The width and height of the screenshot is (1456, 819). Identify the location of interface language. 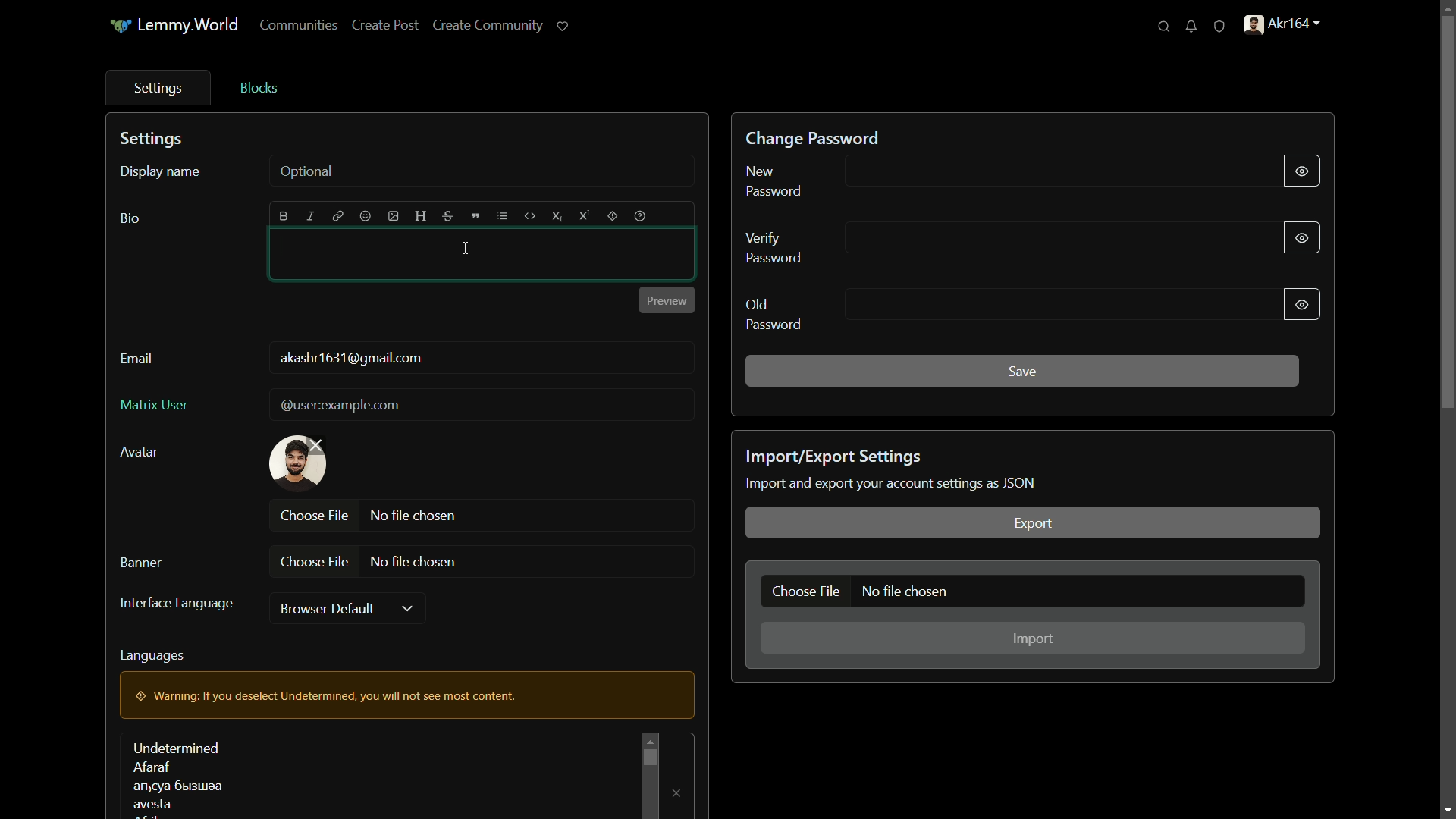
(178, 604).